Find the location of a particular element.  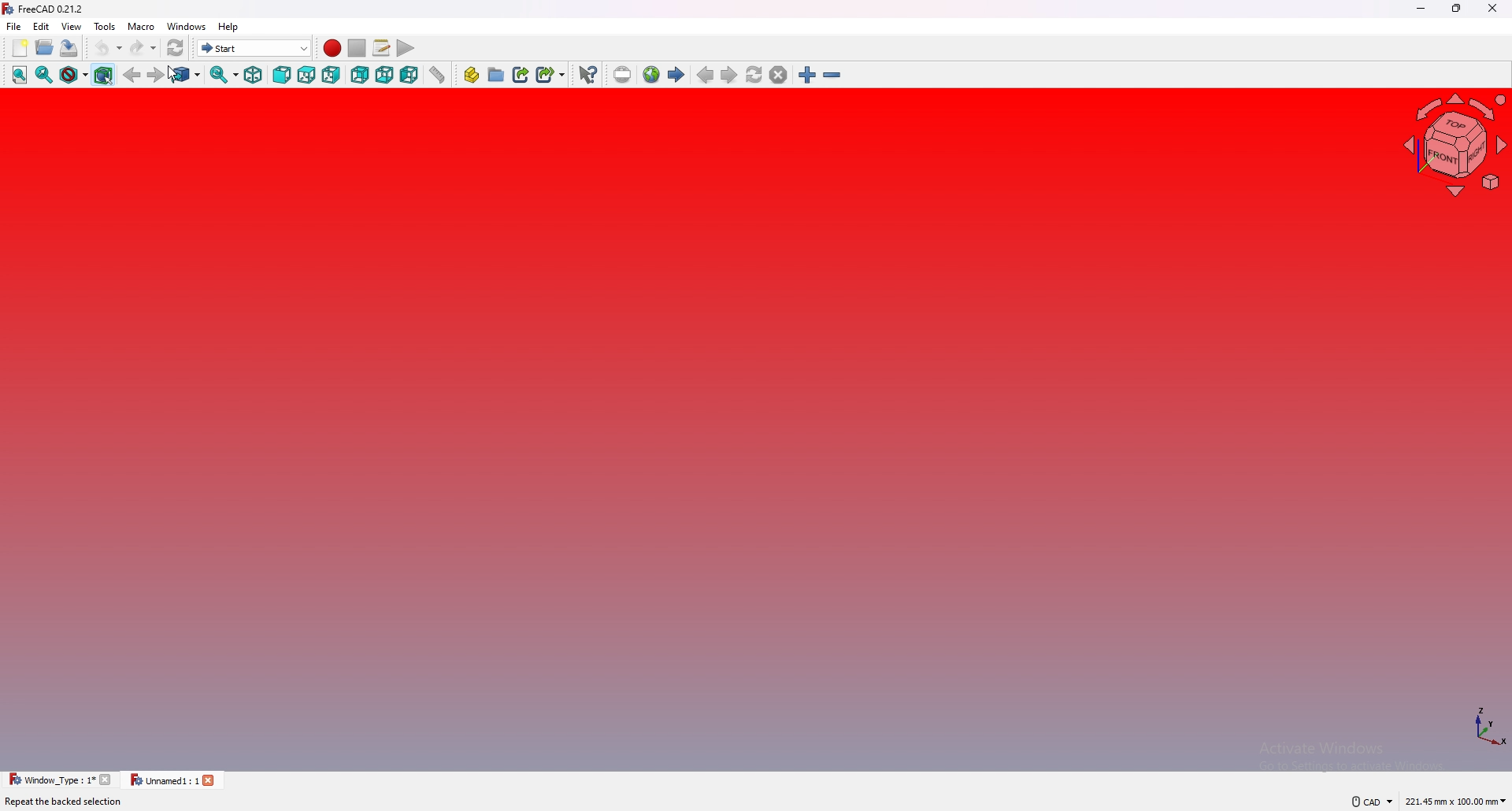

edit is located at coordinates (42, 26).